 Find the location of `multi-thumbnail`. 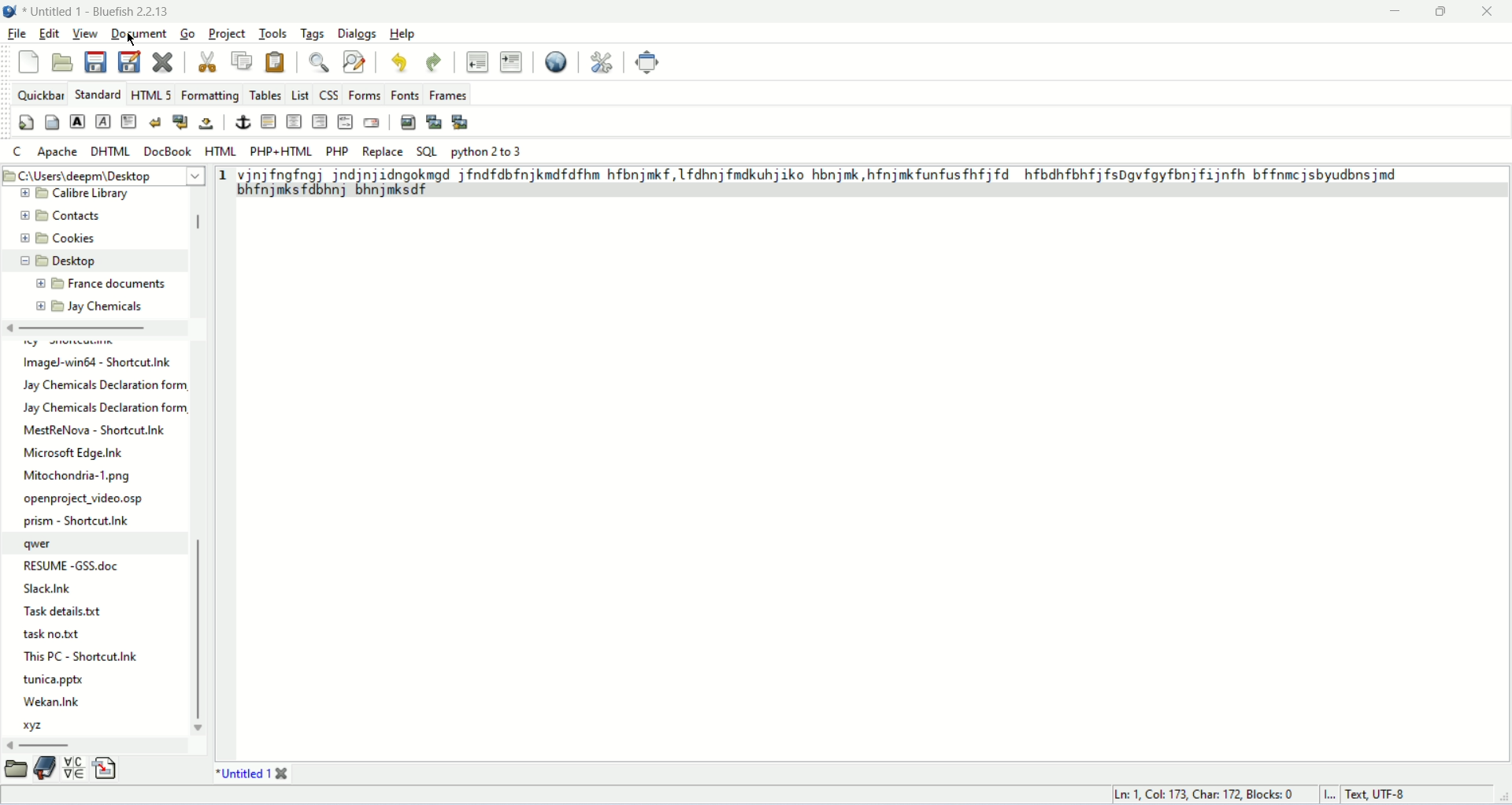

multi-thumbnail is located at coordinates (460, 122).